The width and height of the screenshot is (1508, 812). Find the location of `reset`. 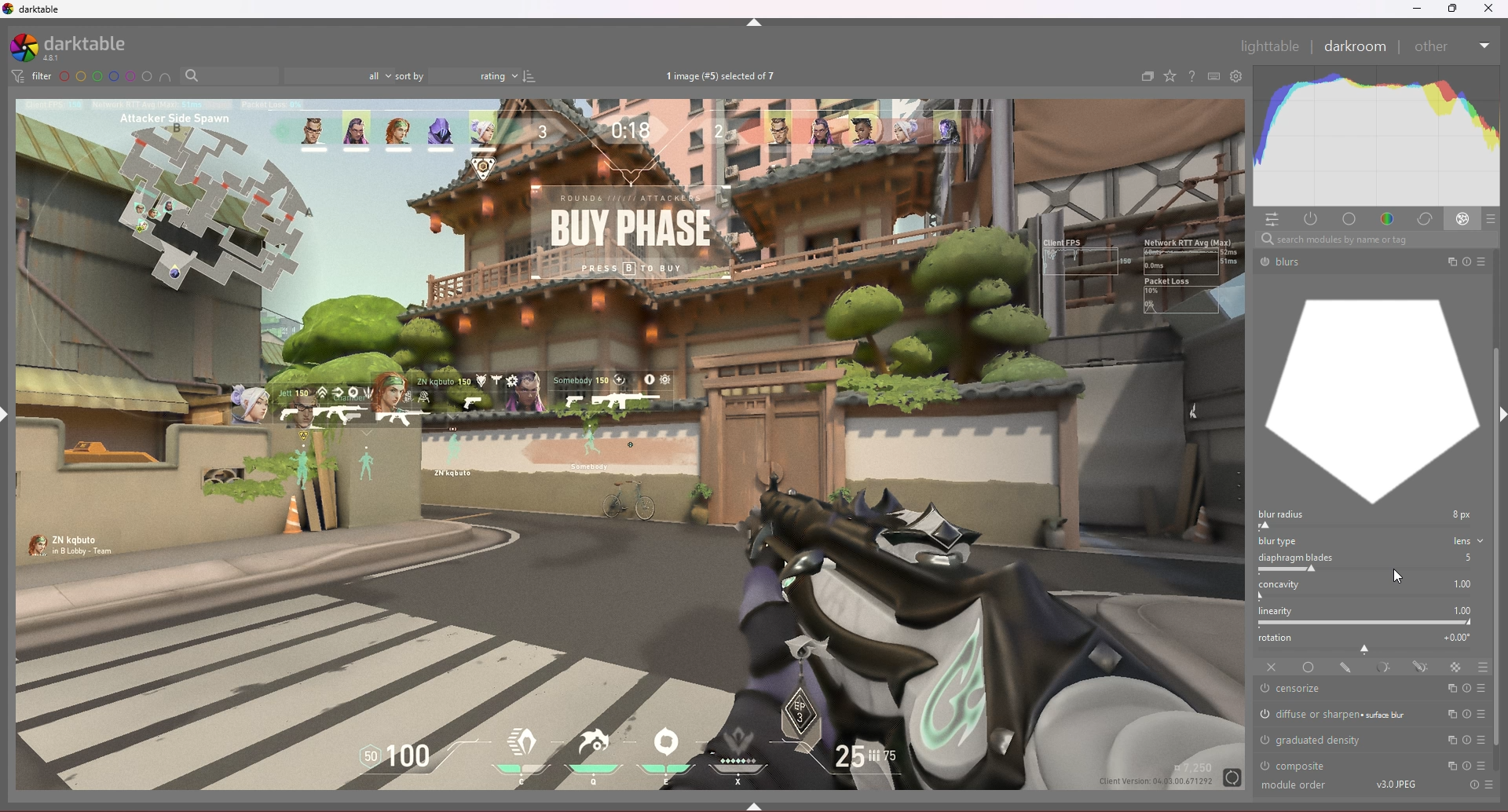

reset is located at coordinates (1466, 740).